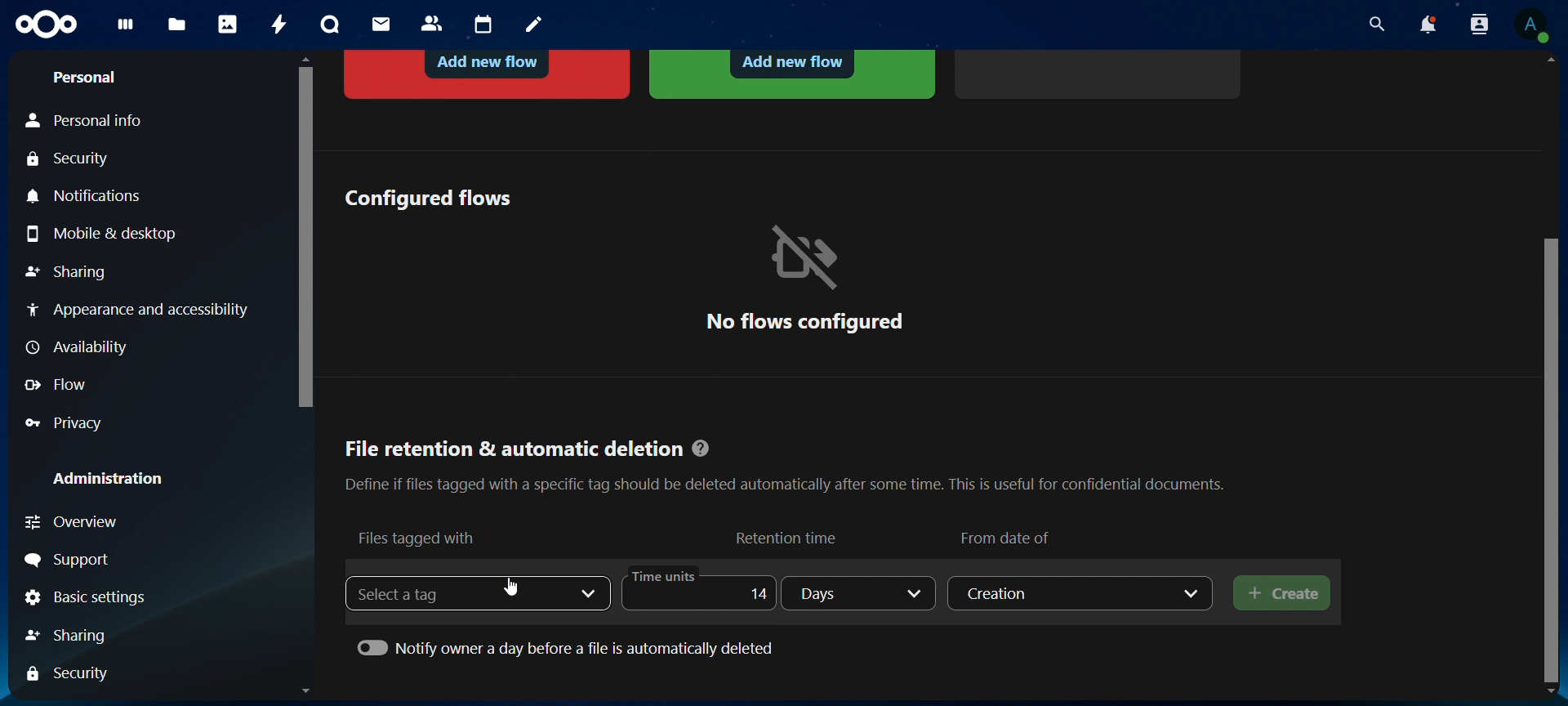 Image resolution: width=1568 pixels, height=706 pixels. I want to click on creation, so click(1082, 592).